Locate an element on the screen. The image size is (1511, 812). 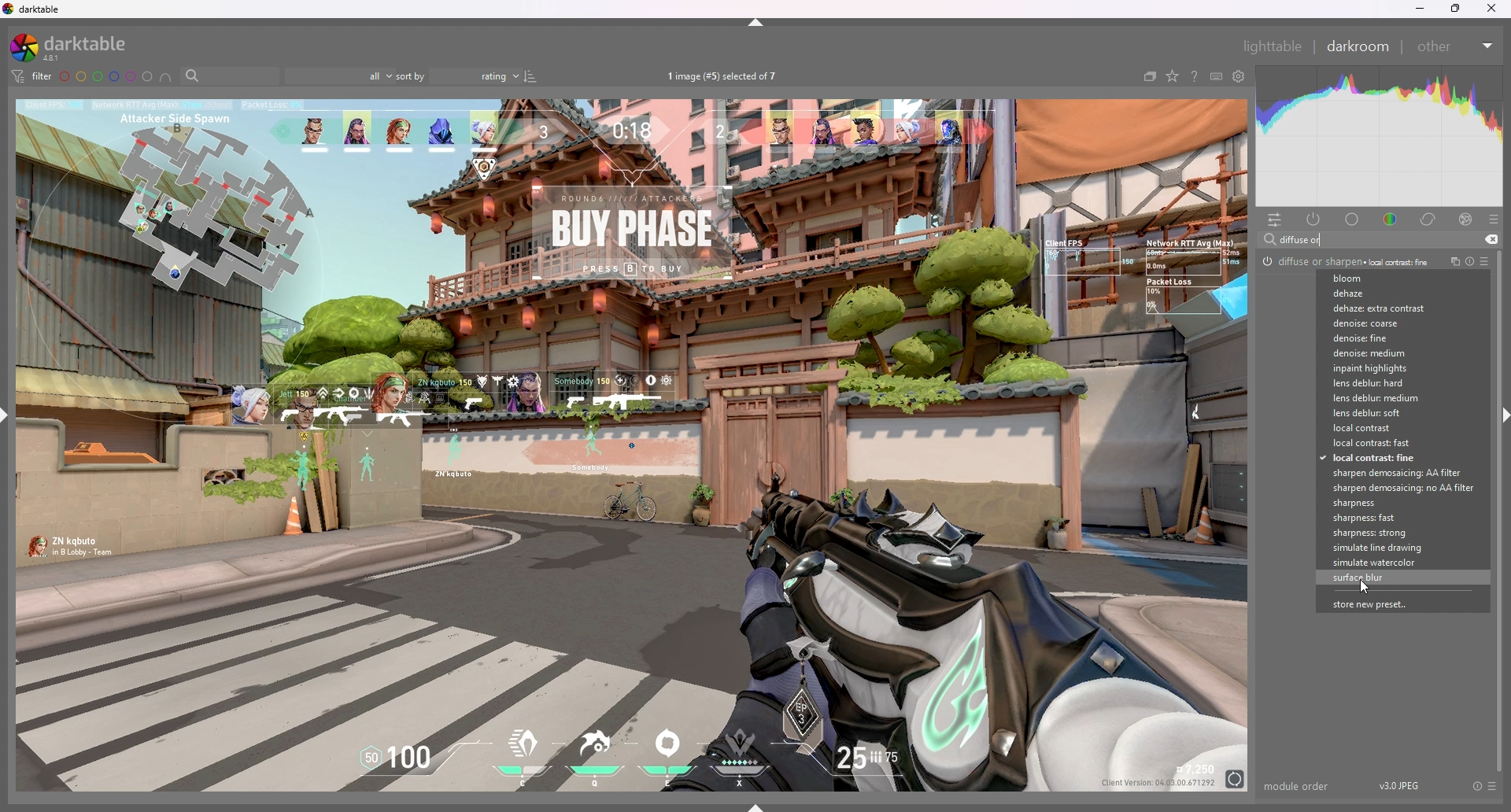
photo is located at coordinates (629, 446).